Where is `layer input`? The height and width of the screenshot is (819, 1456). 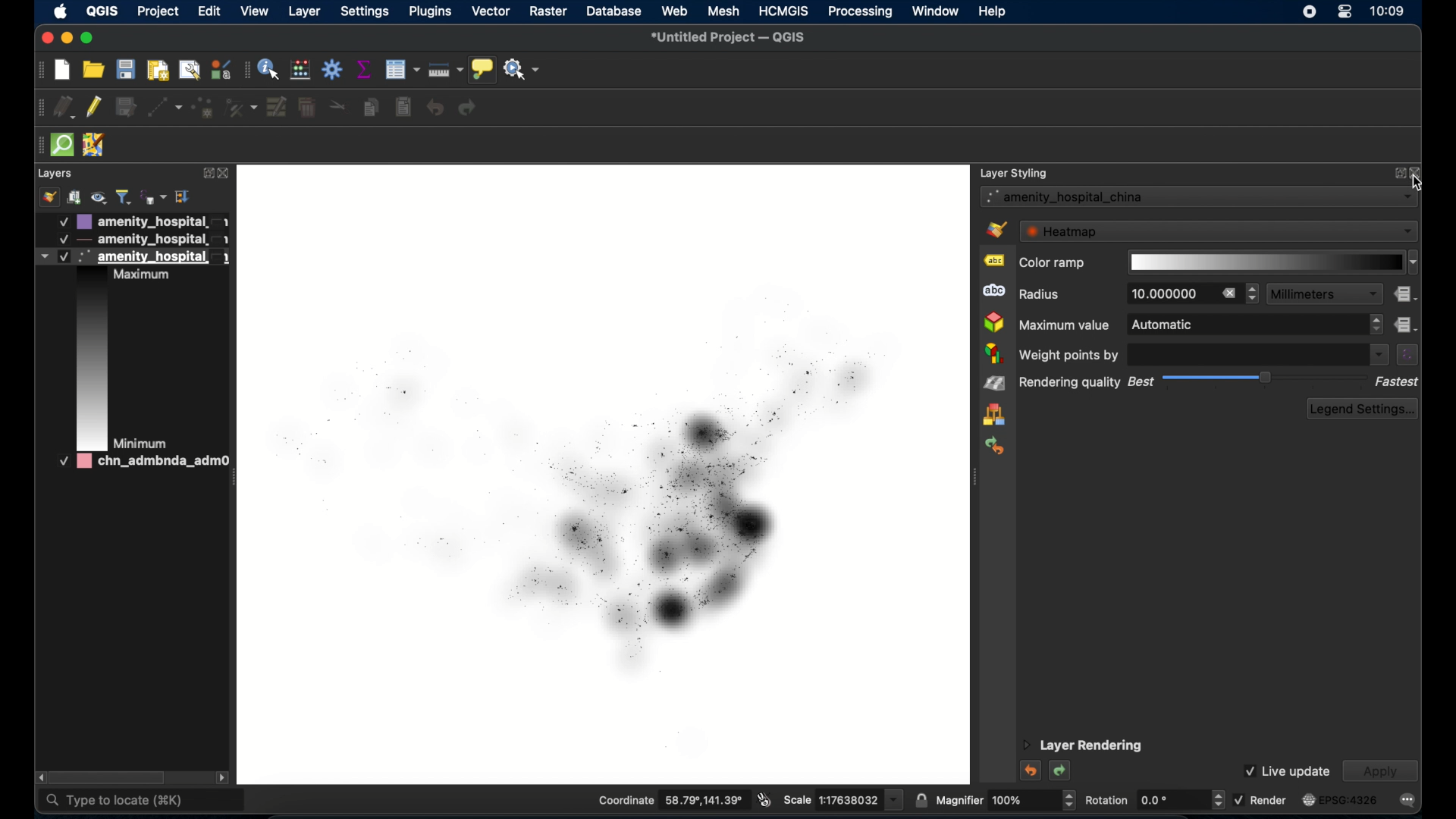
layer input is located at coordinates (1199, 197).